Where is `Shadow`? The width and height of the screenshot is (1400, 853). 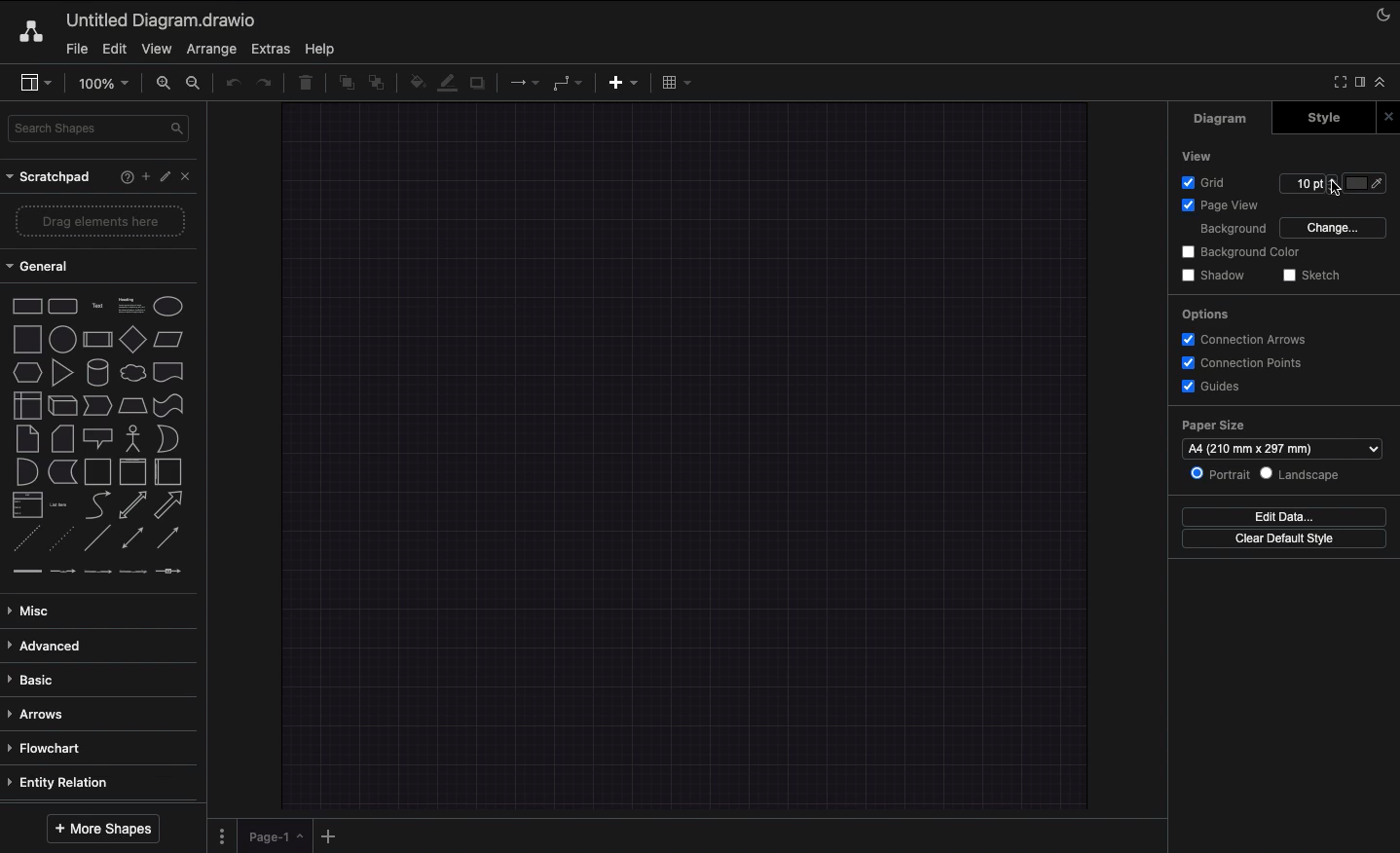 Shadow is located at coordinates (479, 87).